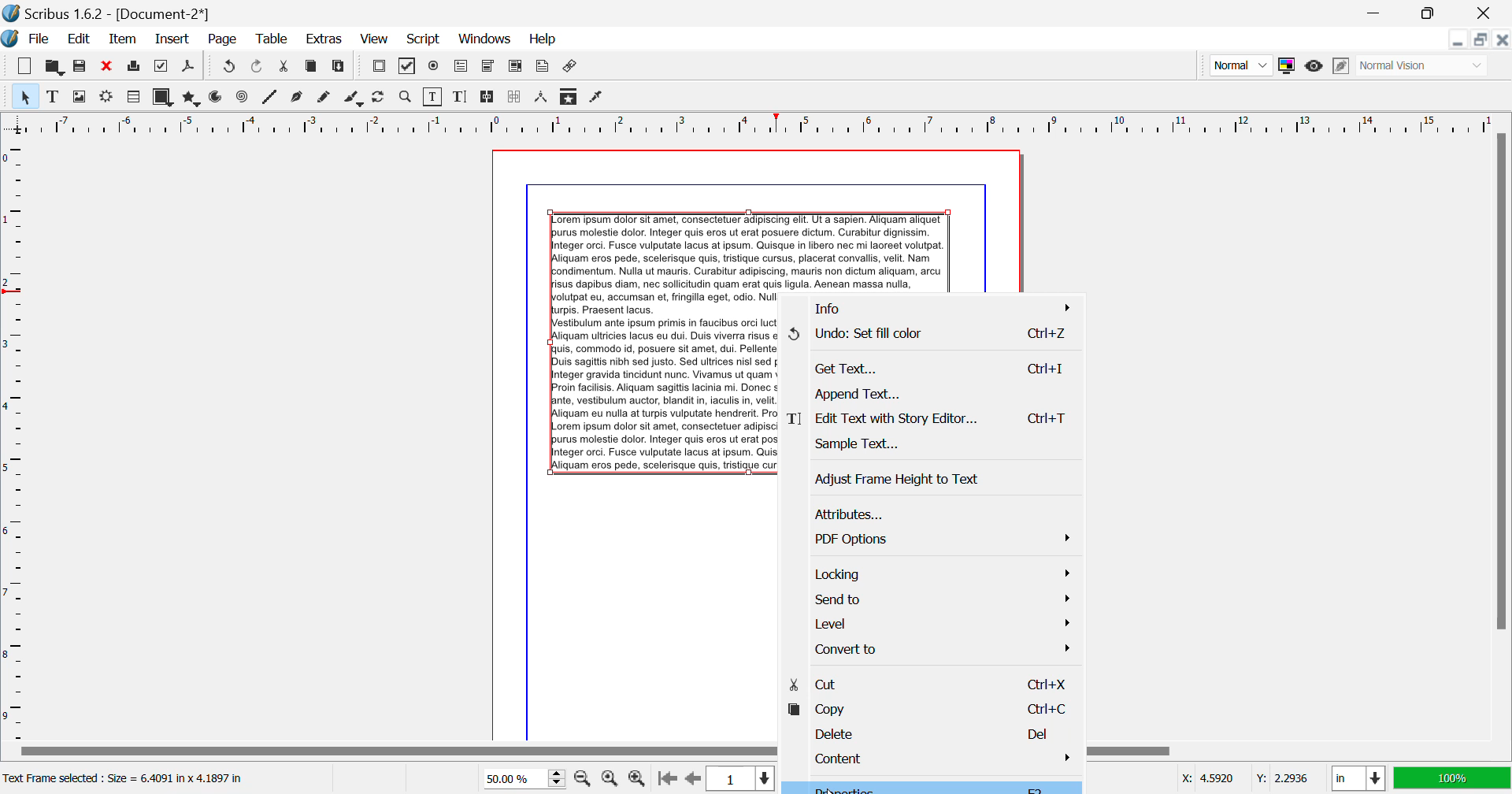 The height and width of the screenshot is (794, 1512). Describe the element at coordinates (132, 98) in the screenshot. I see `Render Frame` at that location.